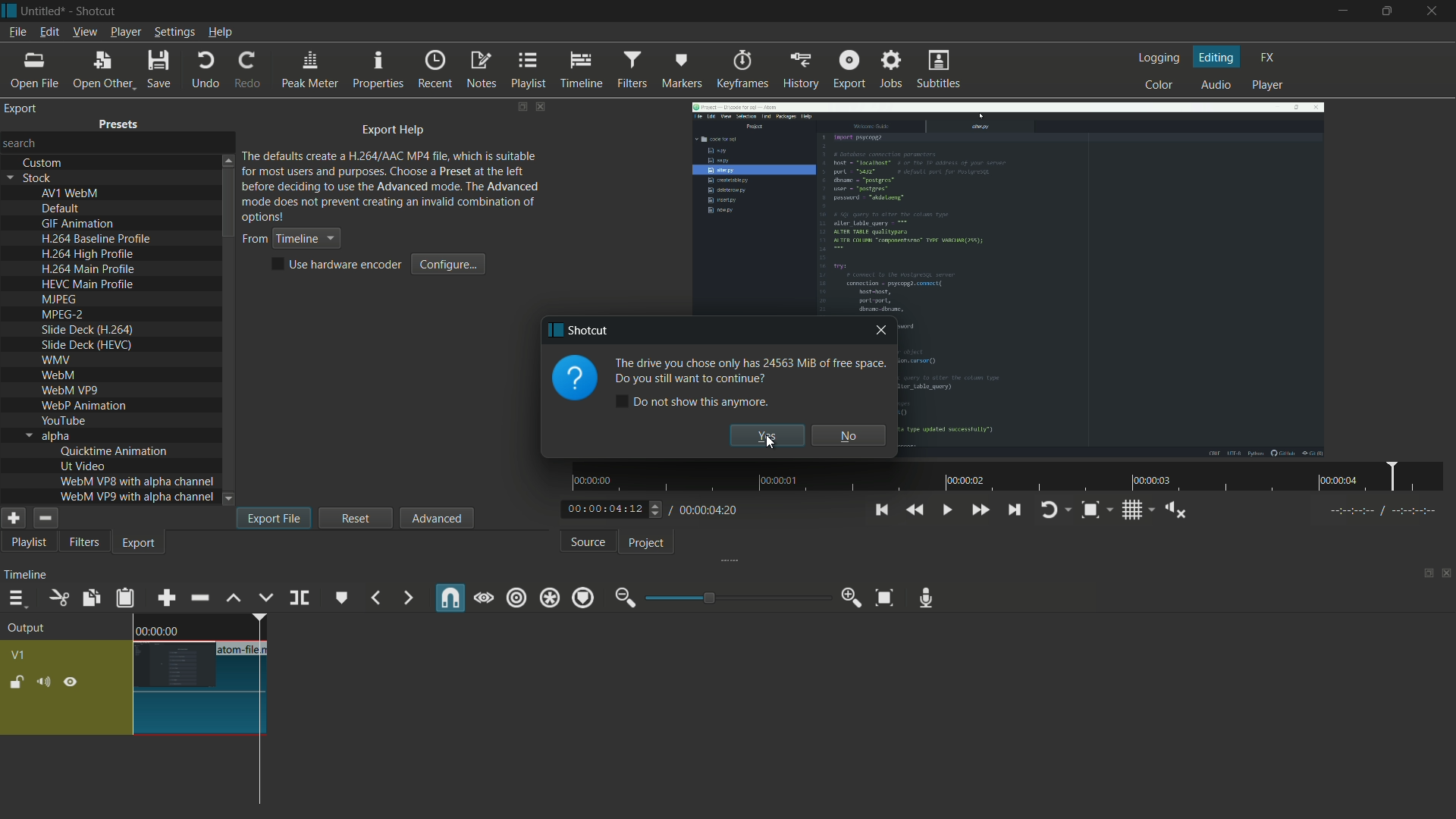 This screenshot has height=819, width=1456. Describe the element at coordinates (948, 510) in the screenshot. I see `toggle play or pause` at that location.